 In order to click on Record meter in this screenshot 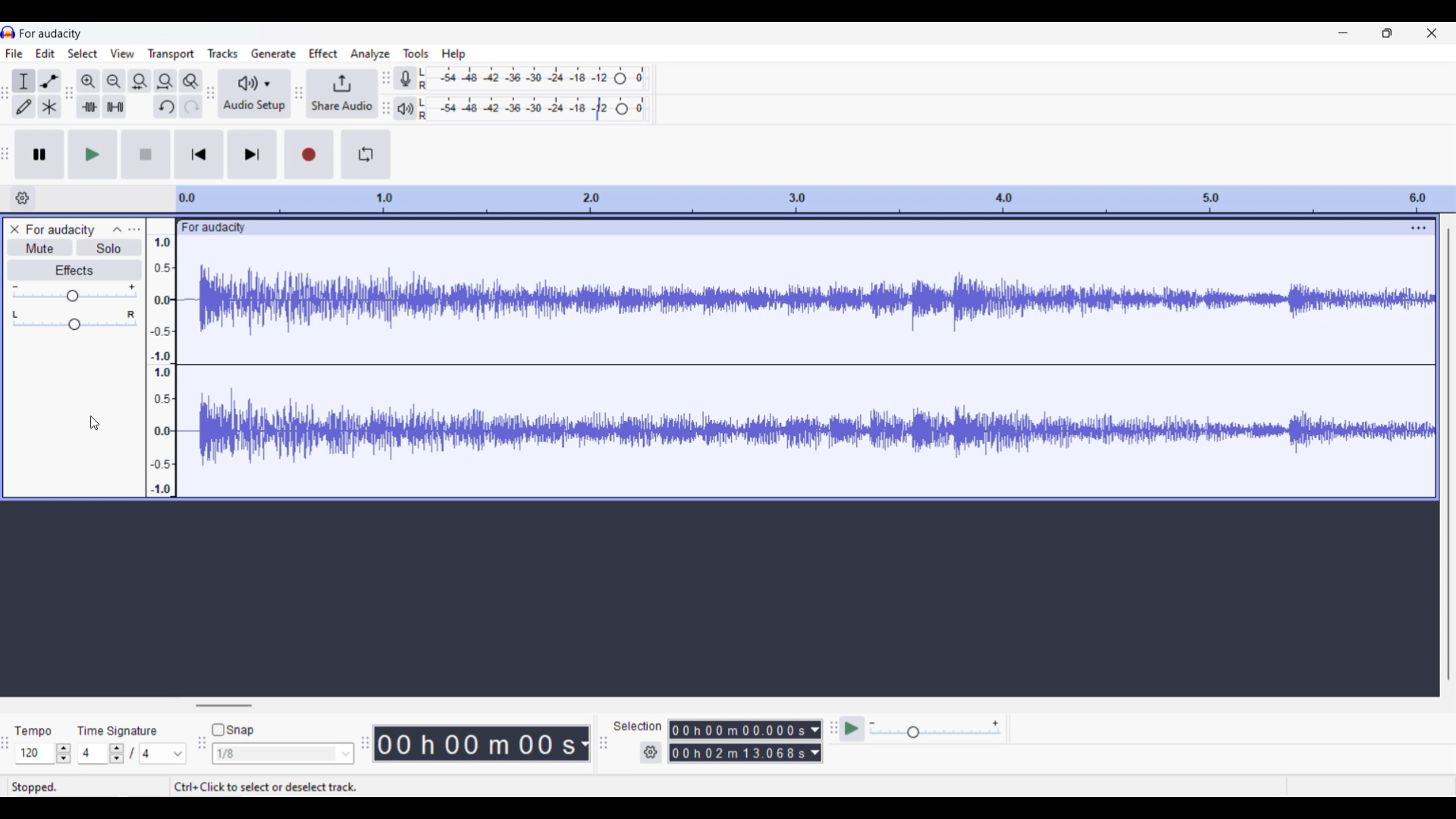, I will do `click(403, 78)`.